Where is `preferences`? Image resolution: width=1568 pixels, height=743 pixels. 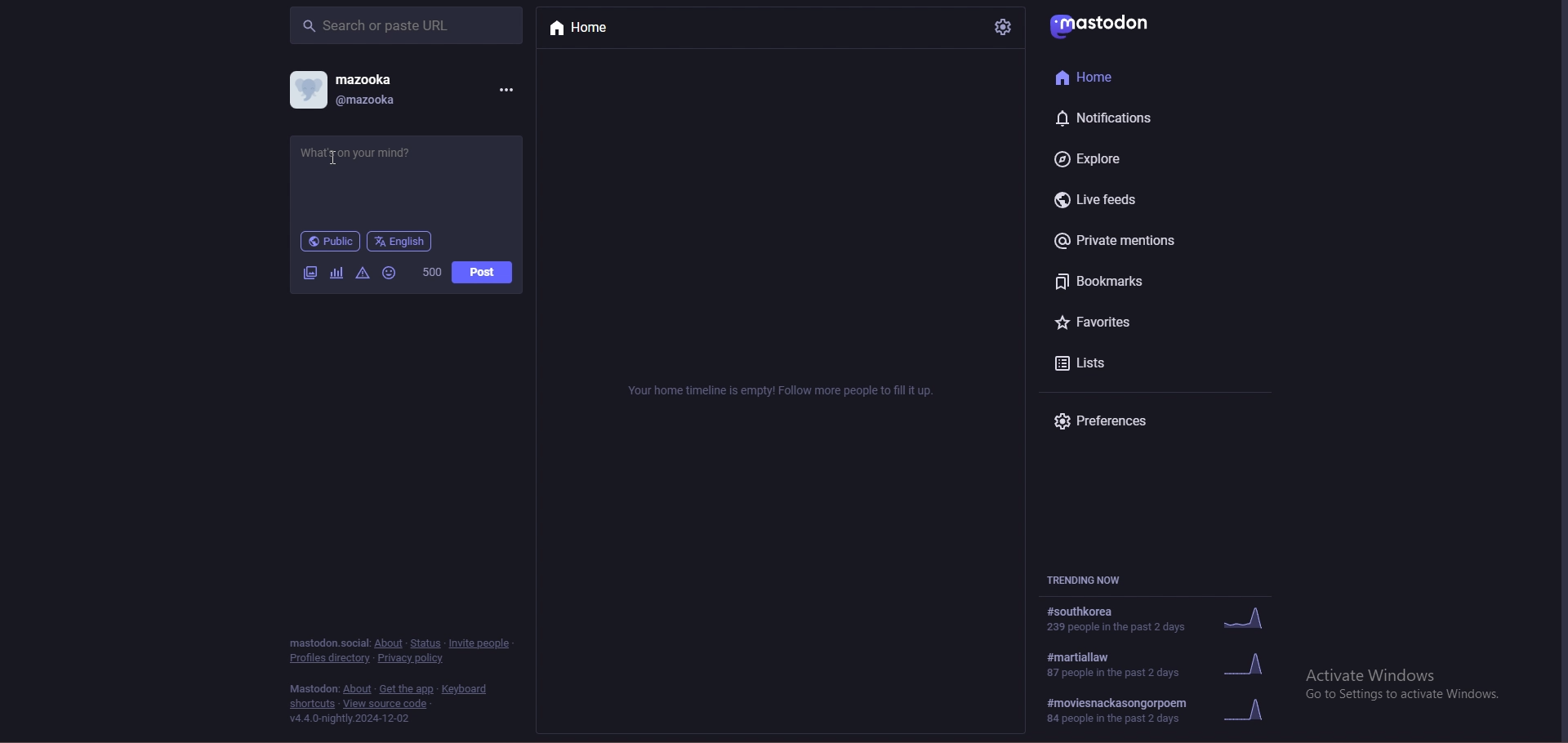
preferences is located at coordinates (1119, 422).